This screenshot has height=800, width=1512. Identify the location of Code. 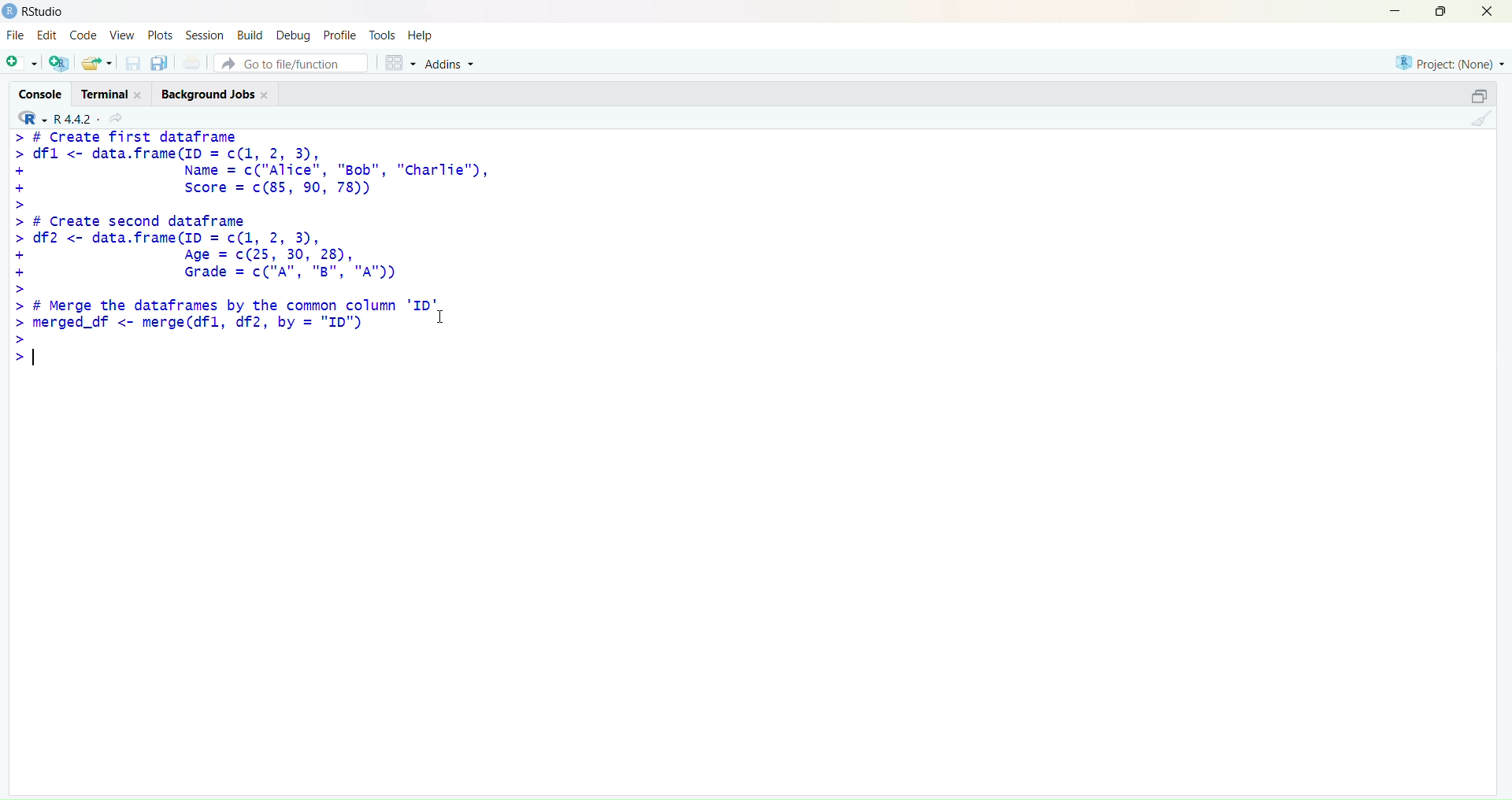
(86, 35).